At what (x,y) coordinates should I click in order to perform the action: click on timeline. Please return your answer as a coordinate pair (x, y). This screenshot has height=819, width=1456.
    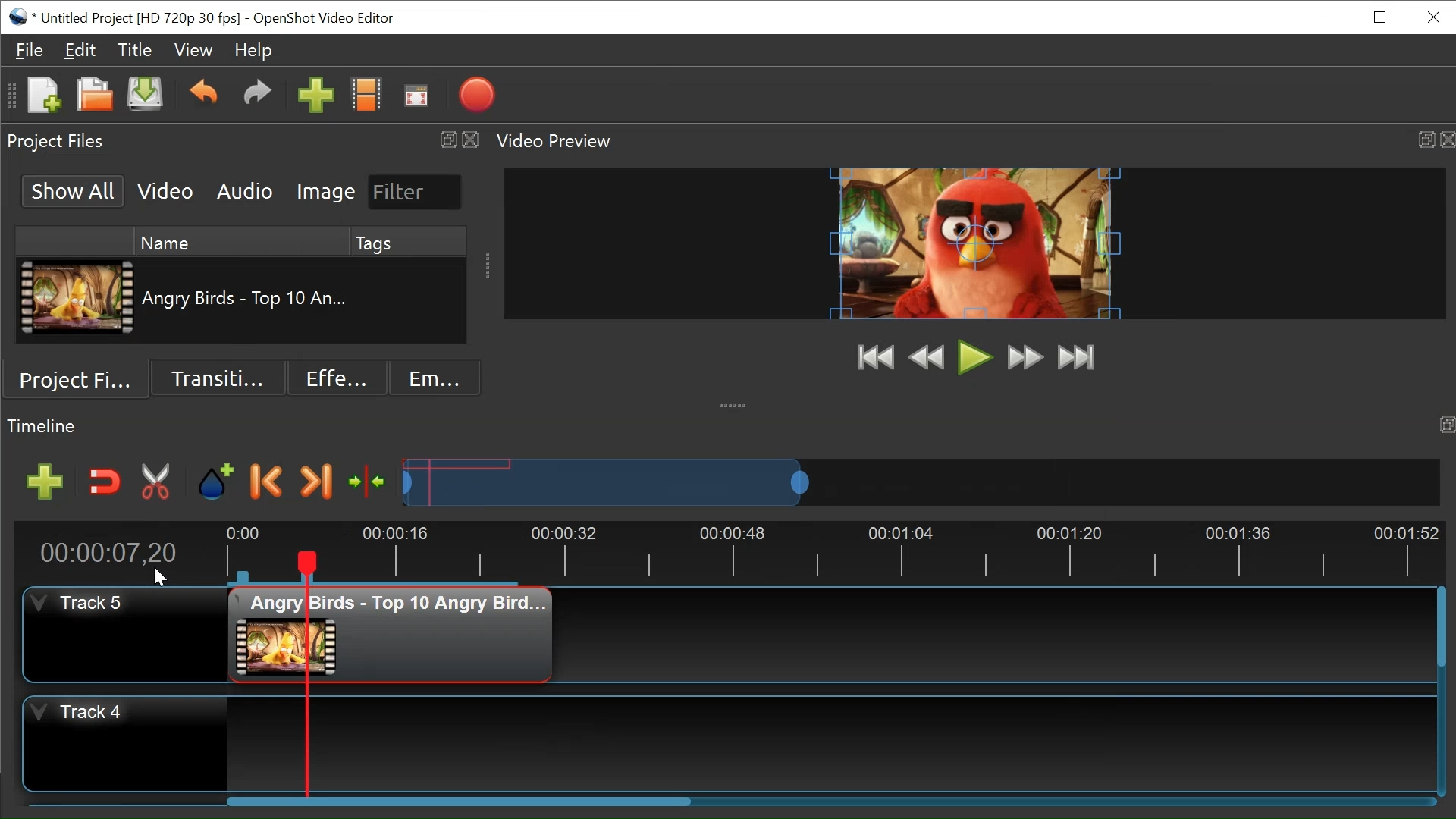
    Looking at the image, I should click on (49, 426).